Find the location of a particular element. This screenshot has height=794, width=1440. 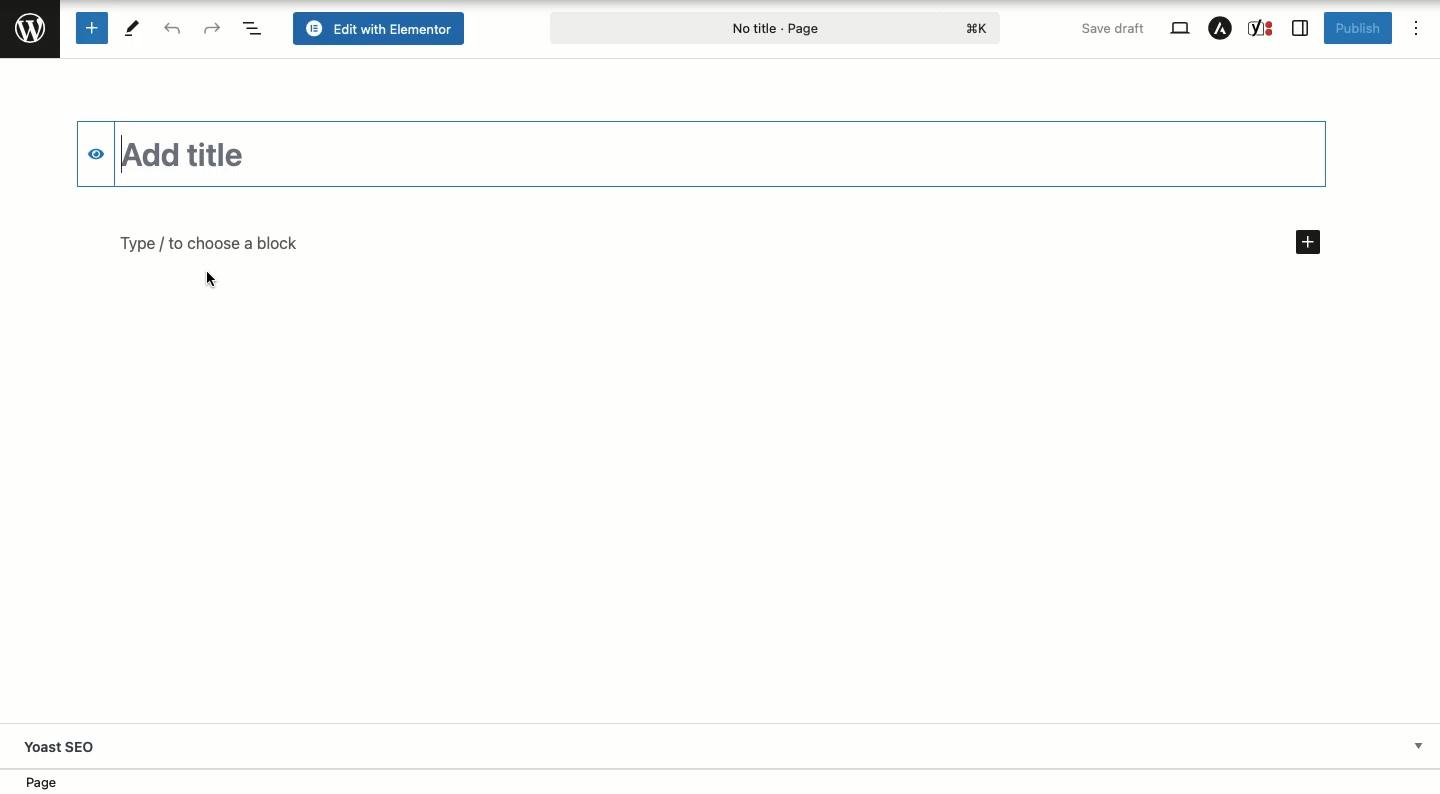

Type/ choose a block is located at coordinates (718, 244).